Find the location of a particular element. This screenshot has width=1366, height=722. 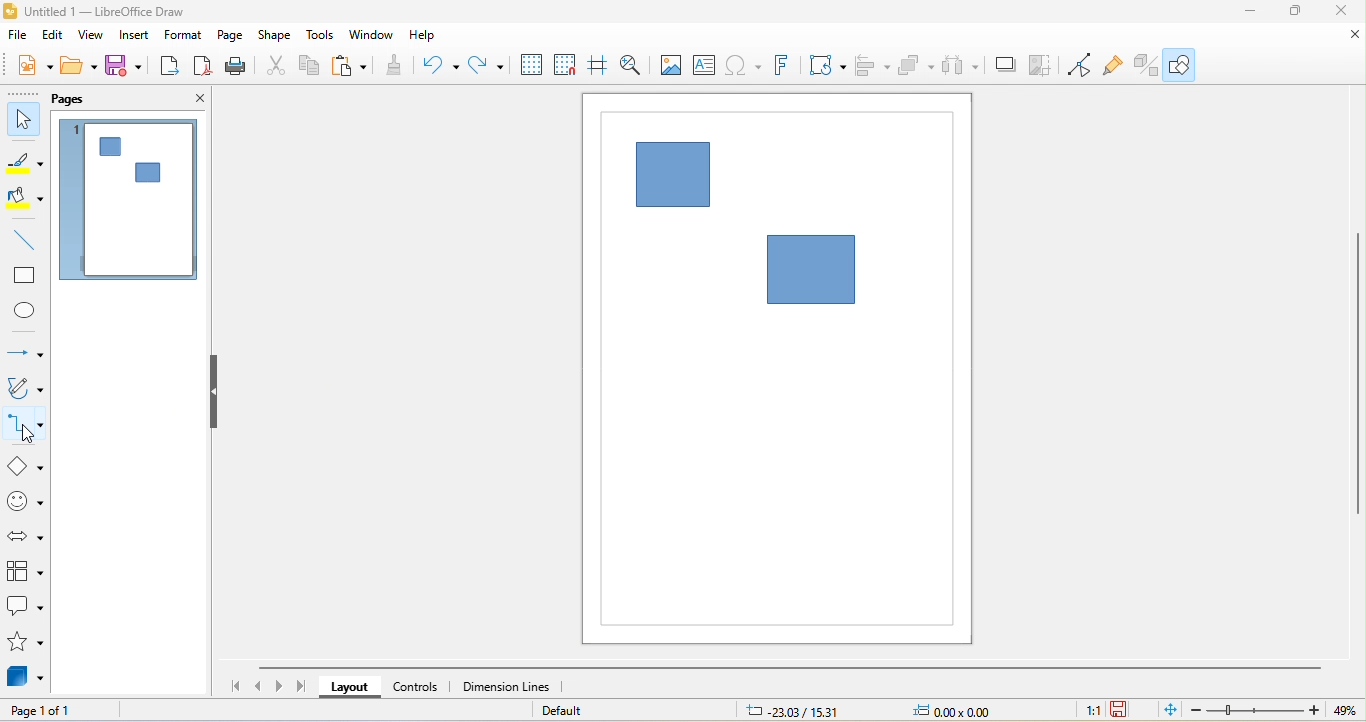

align object is located at coordinates (872, 65).